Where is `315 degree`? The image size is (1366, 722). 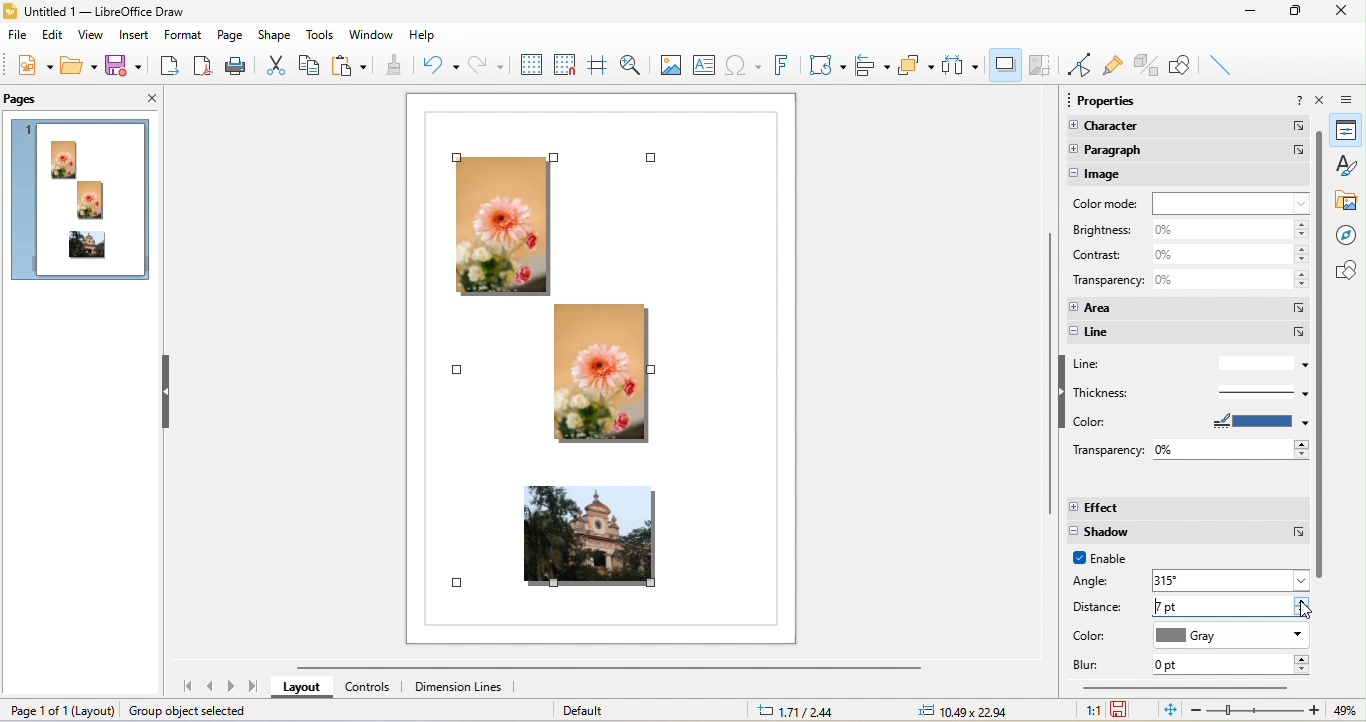
315 degree is located at coordinates (1232, 579).